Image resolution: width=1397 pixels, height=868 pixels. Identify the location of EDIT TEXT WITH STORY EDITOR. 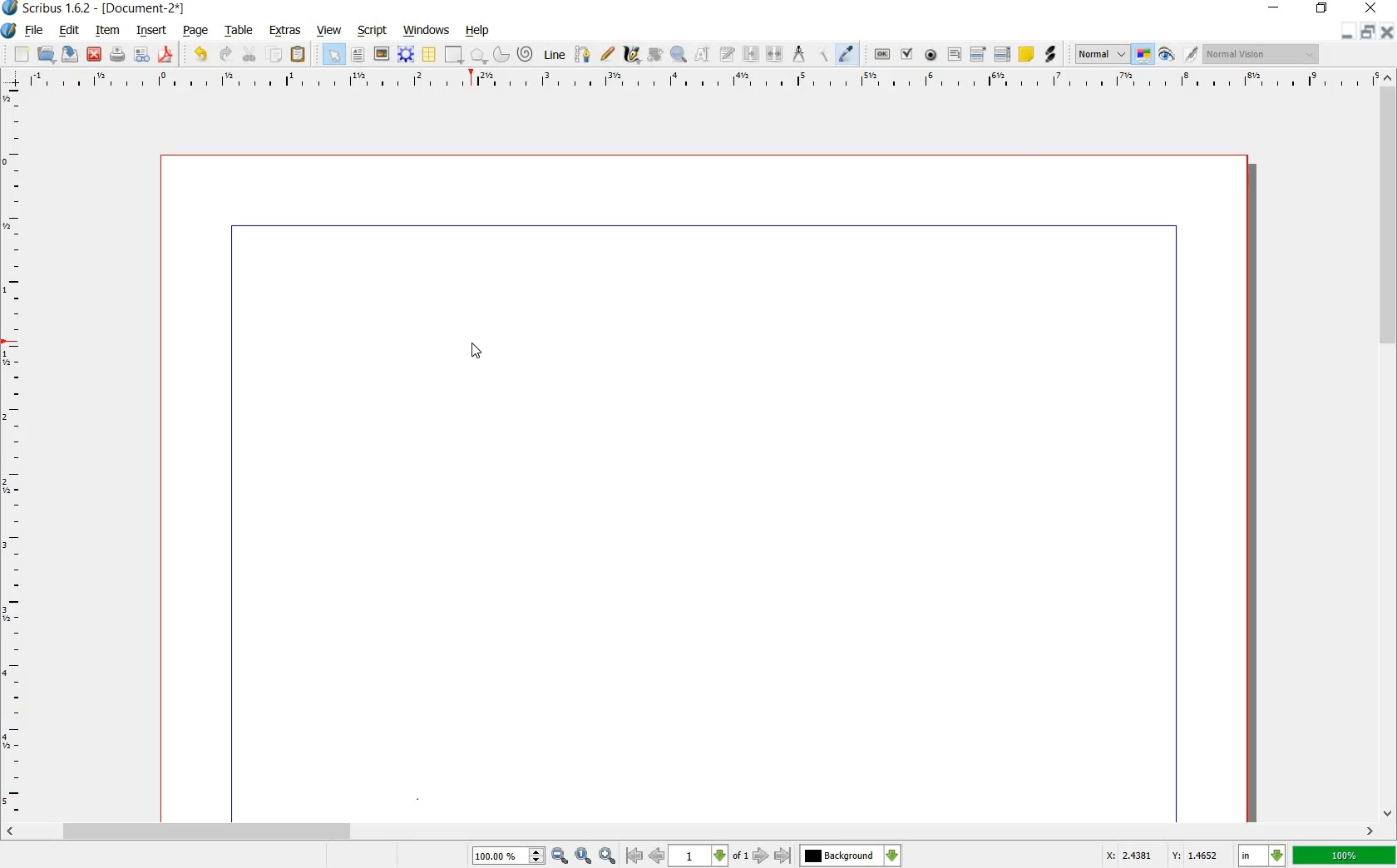
(728, 55).